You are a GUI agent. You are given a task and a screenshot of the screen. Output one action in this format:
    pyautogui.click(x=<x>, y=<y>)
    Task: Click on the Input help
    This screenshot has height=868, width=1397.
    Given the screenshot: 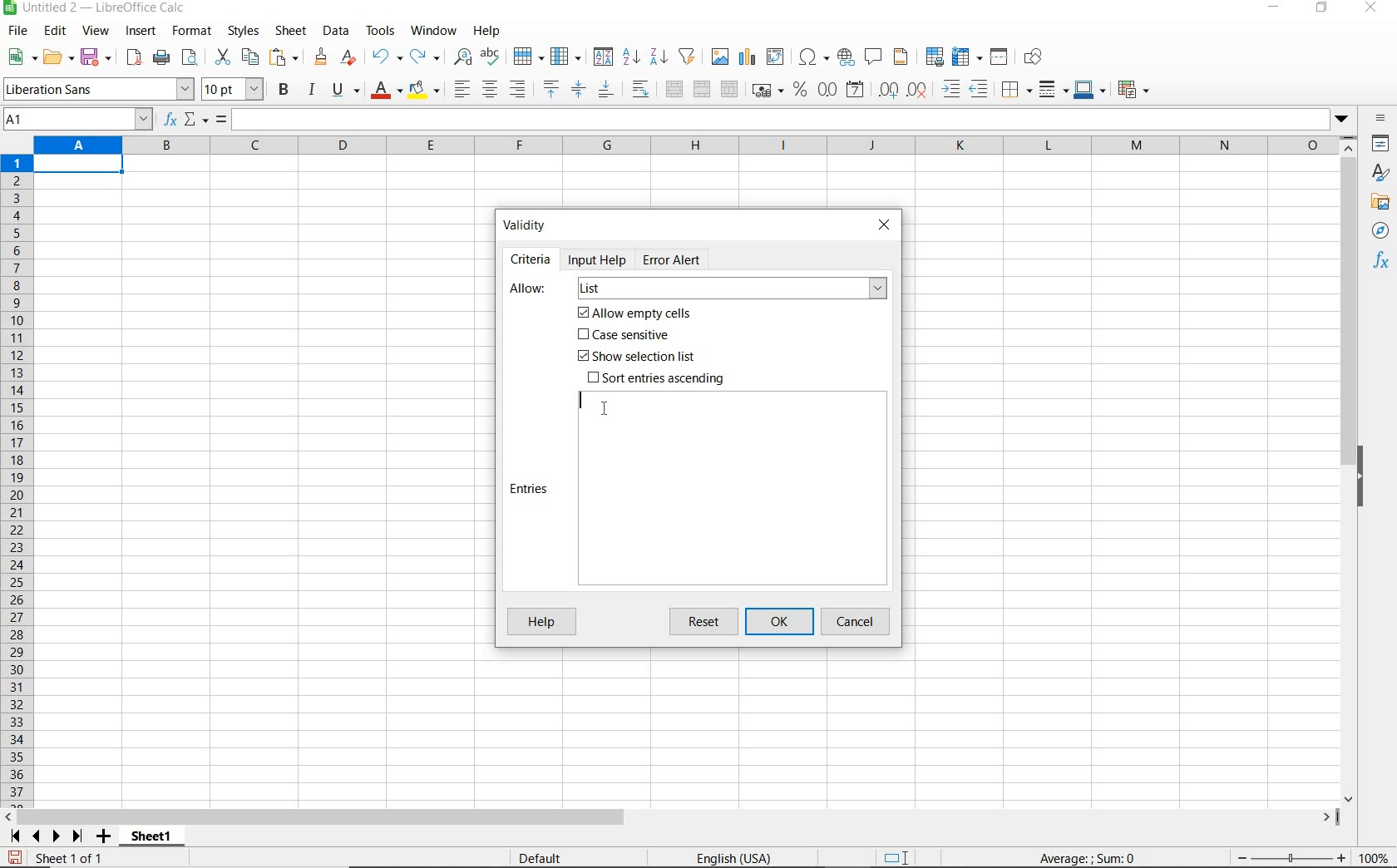 What is the action you would take?
    pyautogui.click(x=599, y=259)
    